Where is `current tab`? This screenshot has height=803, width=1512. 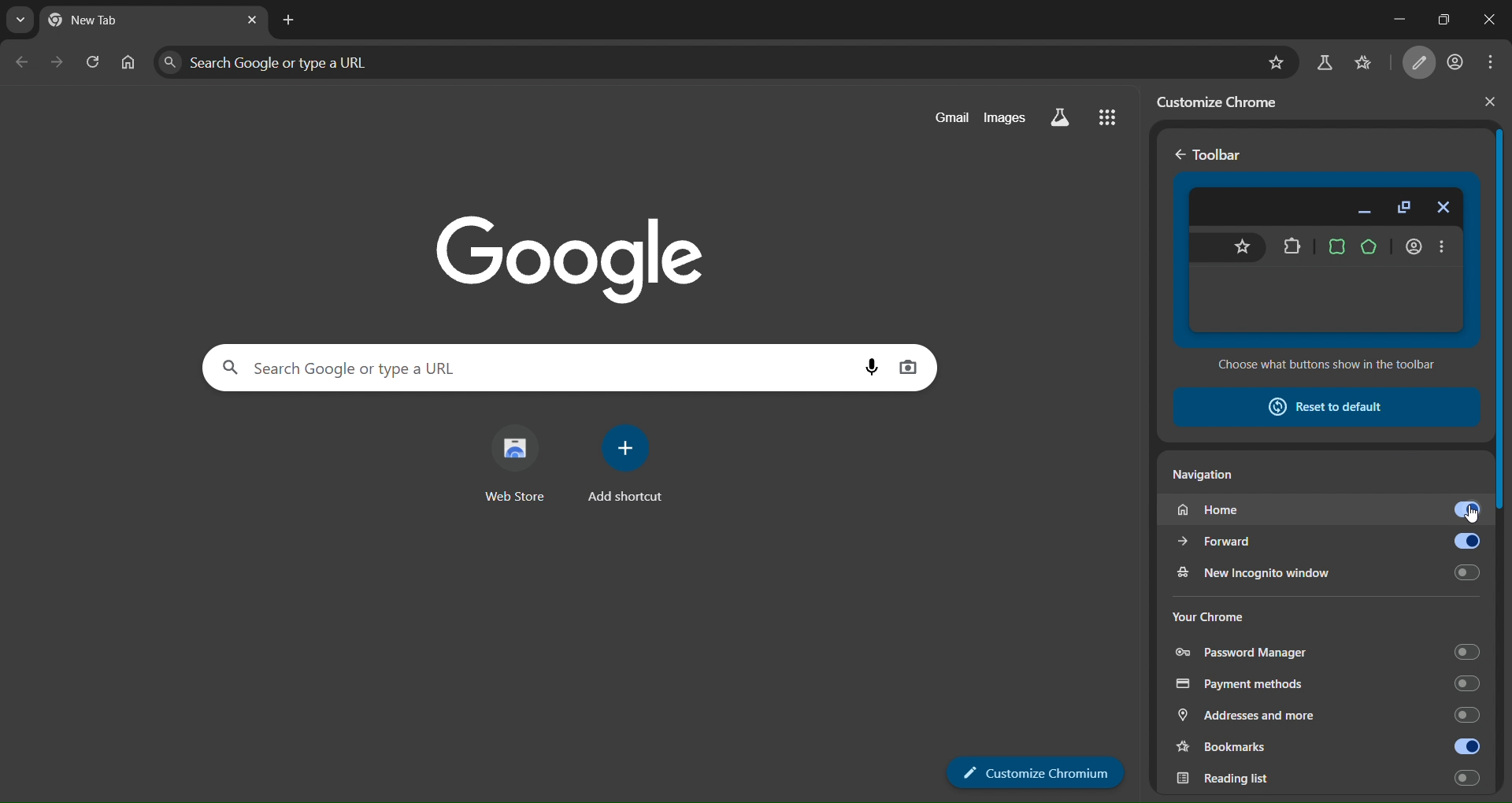
current tab is located at coordinates (113, 21).